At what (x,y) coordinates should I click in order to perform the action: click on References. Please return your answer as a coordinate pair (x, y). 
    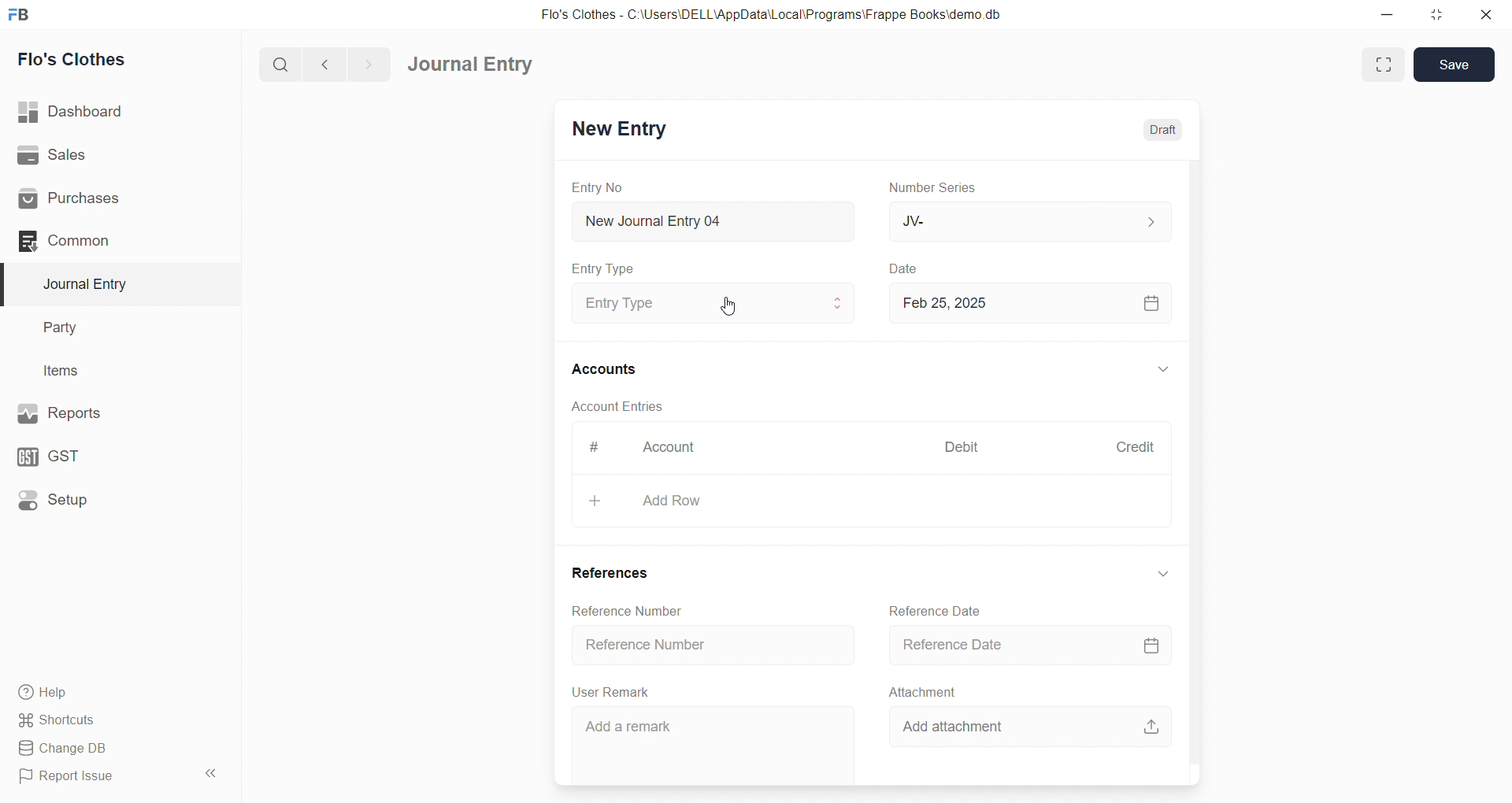
    Looking at the image, I should click on (614, 574).